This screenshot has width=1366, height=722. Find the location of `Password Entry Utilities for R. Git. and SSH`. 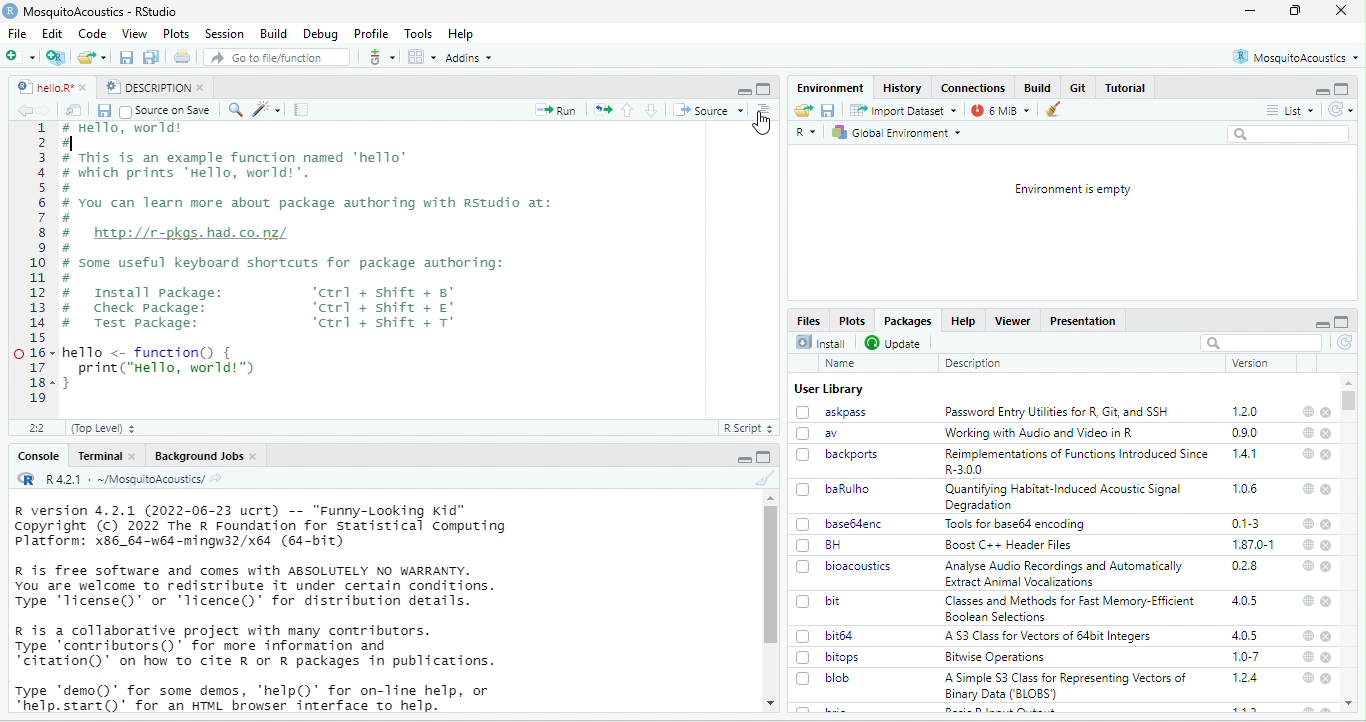

Password Entry Utilities for R. Git. and SSH is located at coordinates (1058, 412).